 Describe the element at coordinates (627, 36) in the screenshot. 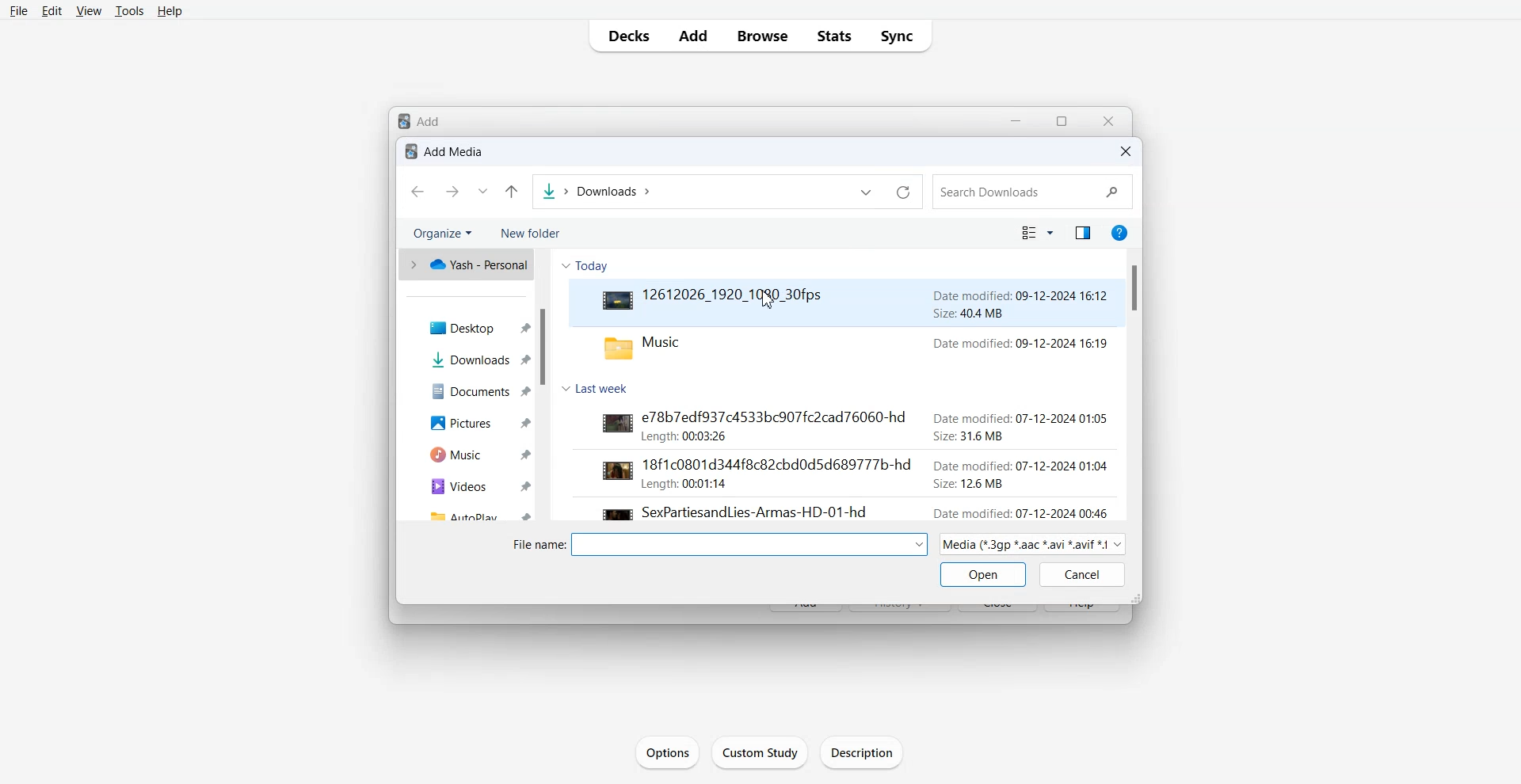

I see `Decks` at that location.